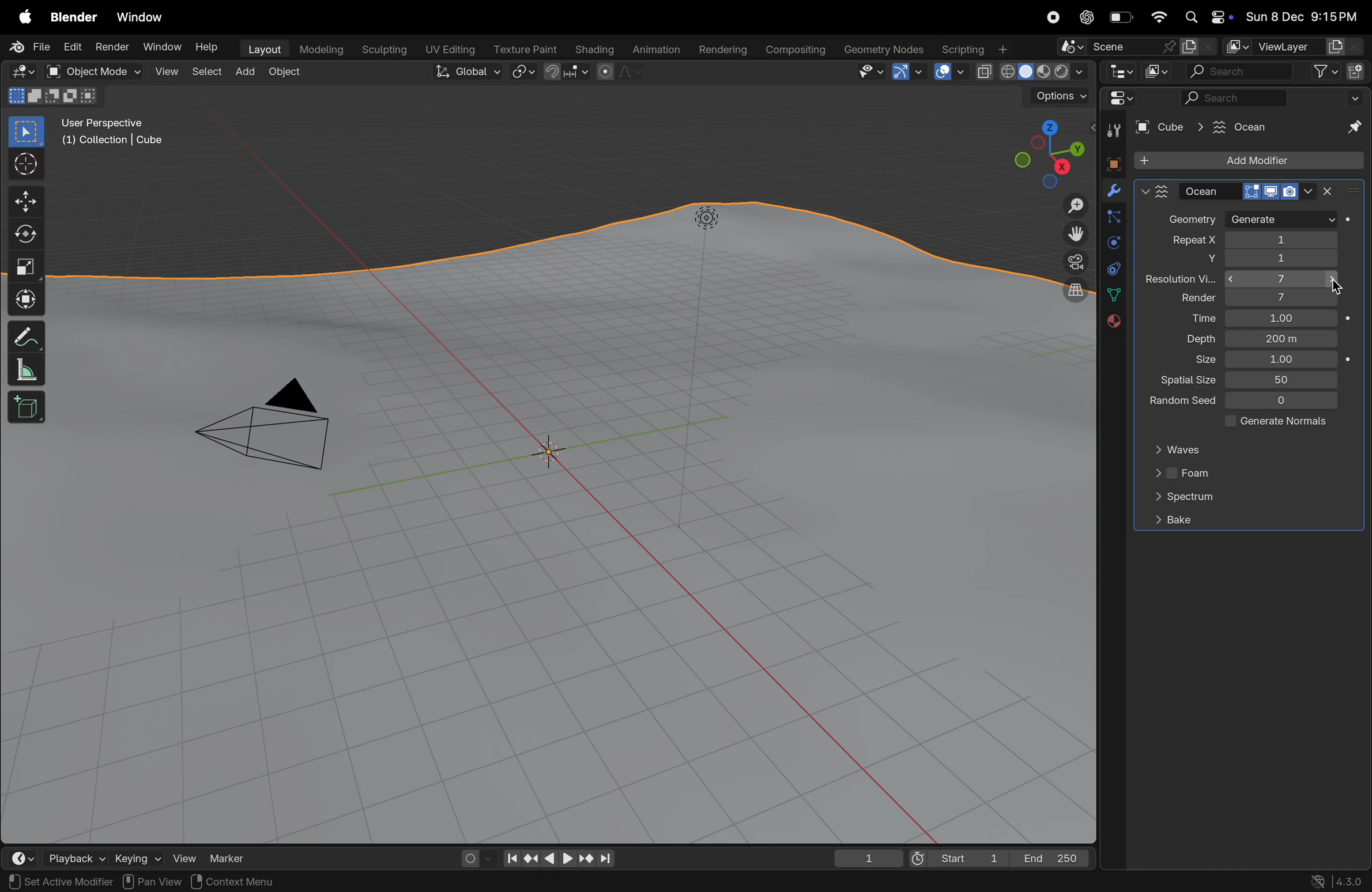 The image size is (1372, 892). Describe the element at coordinates (1356, 70) in the screenshot. I see `new collection` at that location.